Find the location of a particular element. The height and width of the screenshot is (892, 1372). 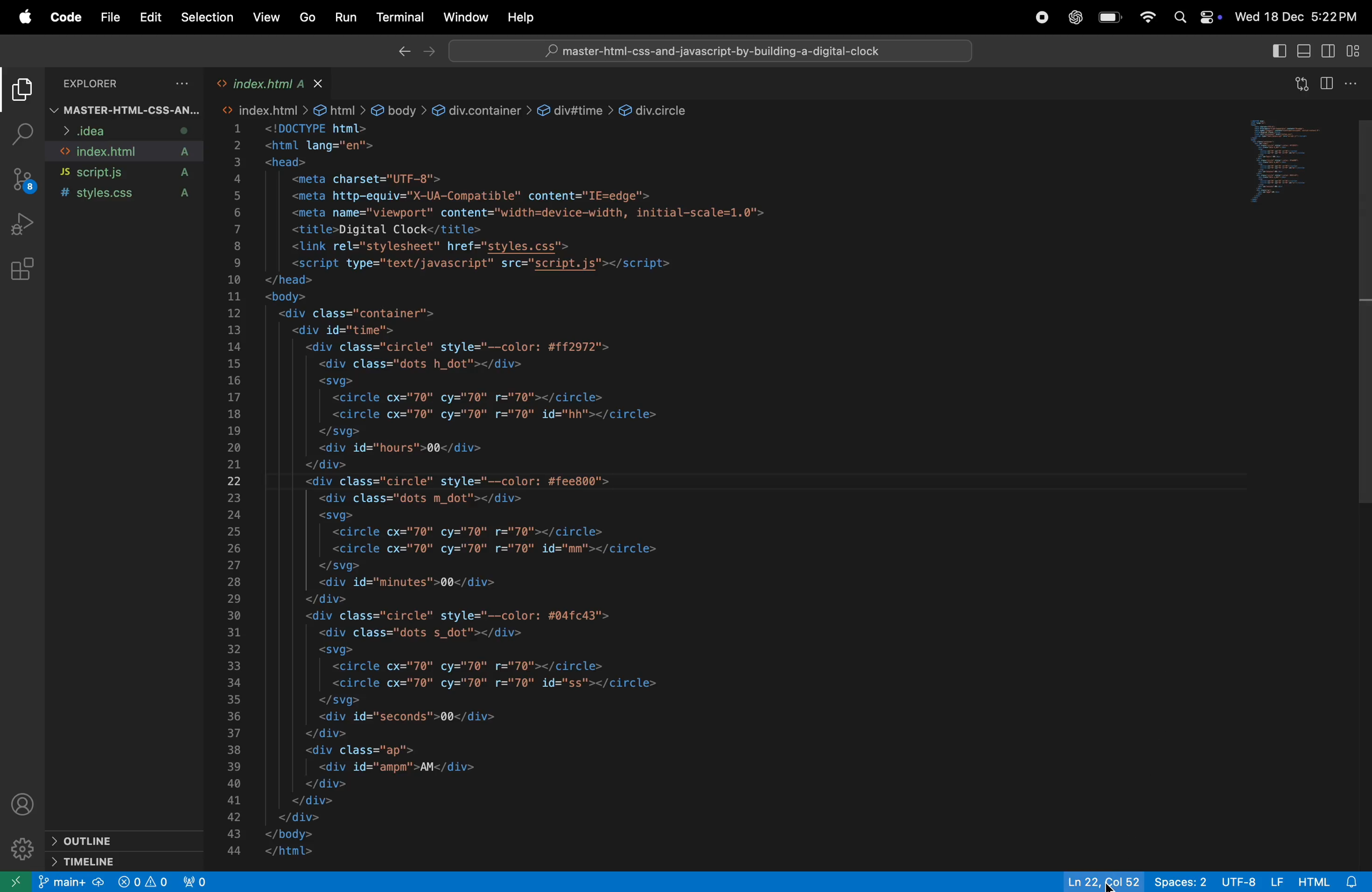

index.html tab is located at coordinates (263, 83).